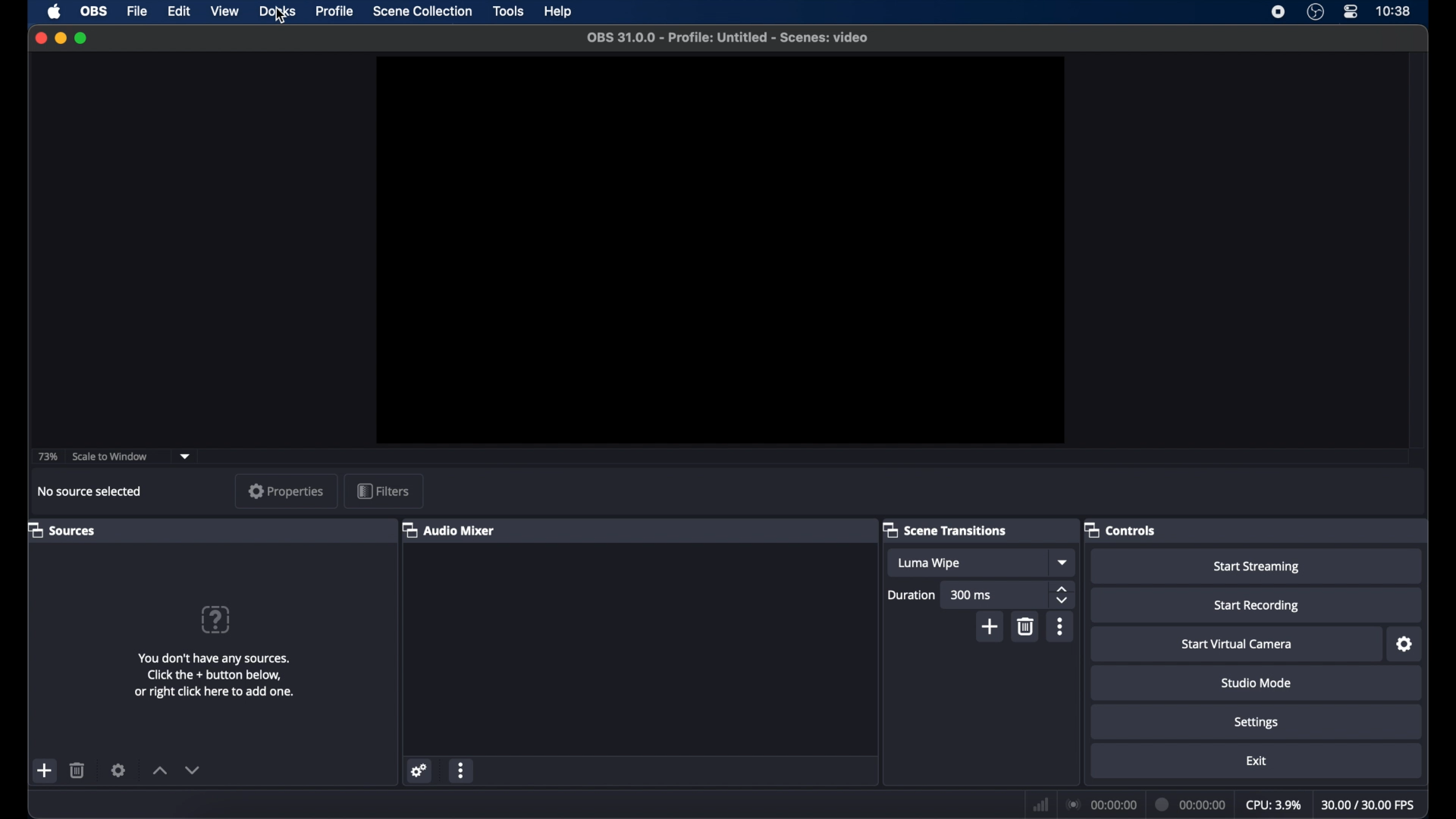 The height and width of the screenshot is (819, 1456). What do you see at coordinates (1191, 804) in the screenshot?
I see `00:00:00` at bounding box center [1191, 804].